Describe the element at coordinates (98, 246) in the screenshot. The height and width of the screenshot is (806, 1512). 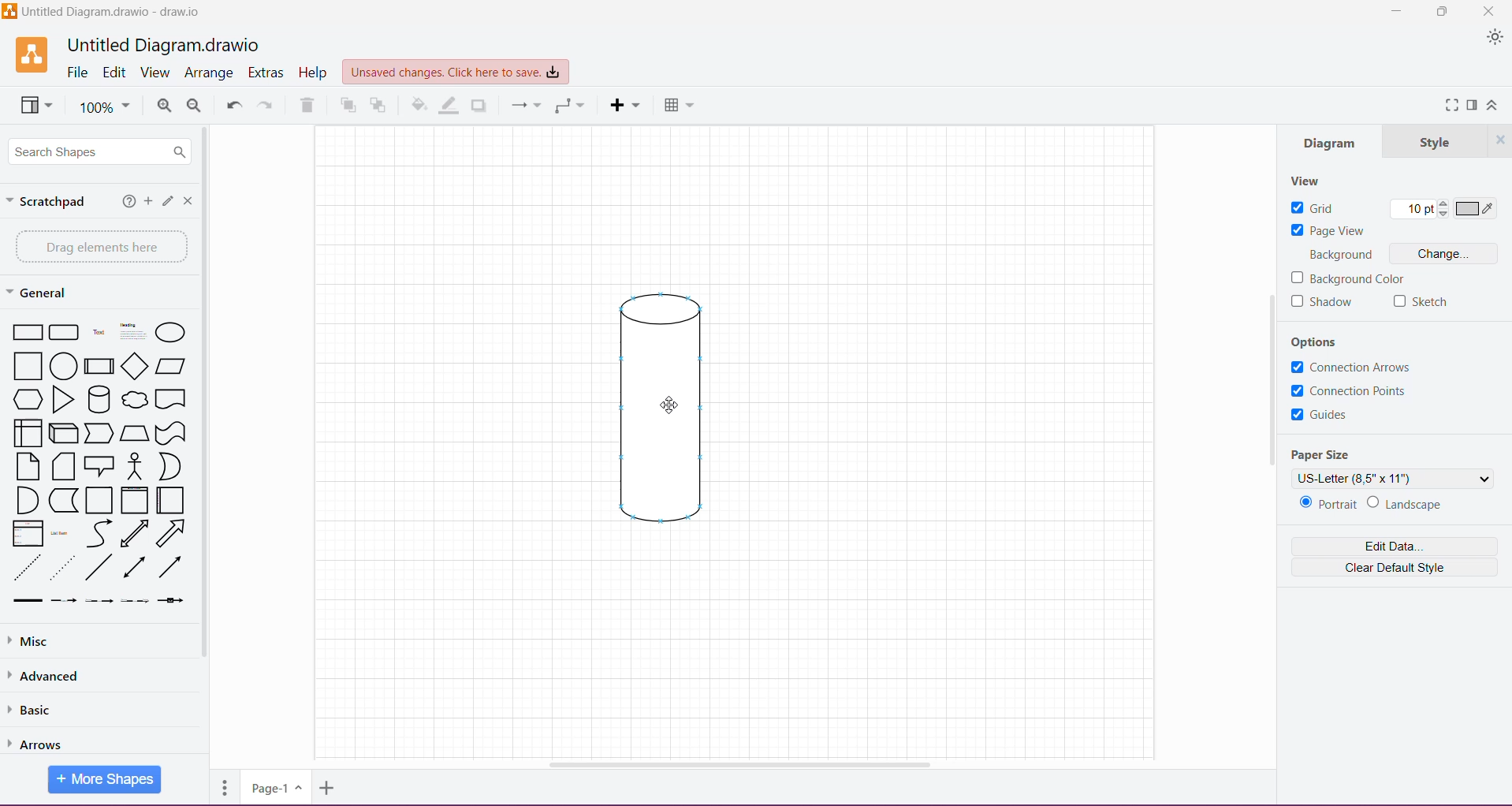
I see `Drag elements here` at that location.